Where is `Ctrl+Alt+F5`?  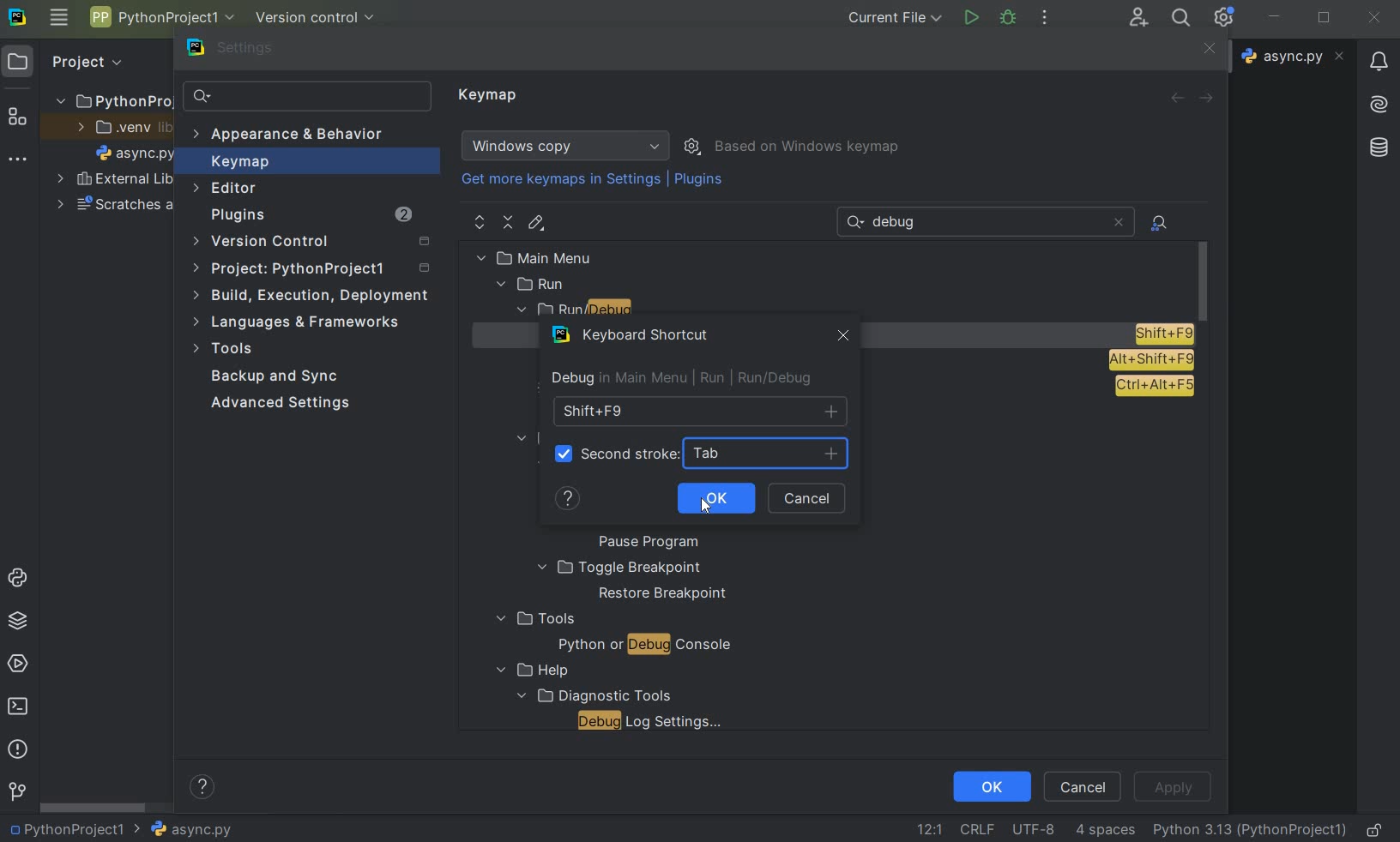 Ctrl+Alt+F5 is located at coordinates (1154, 387).